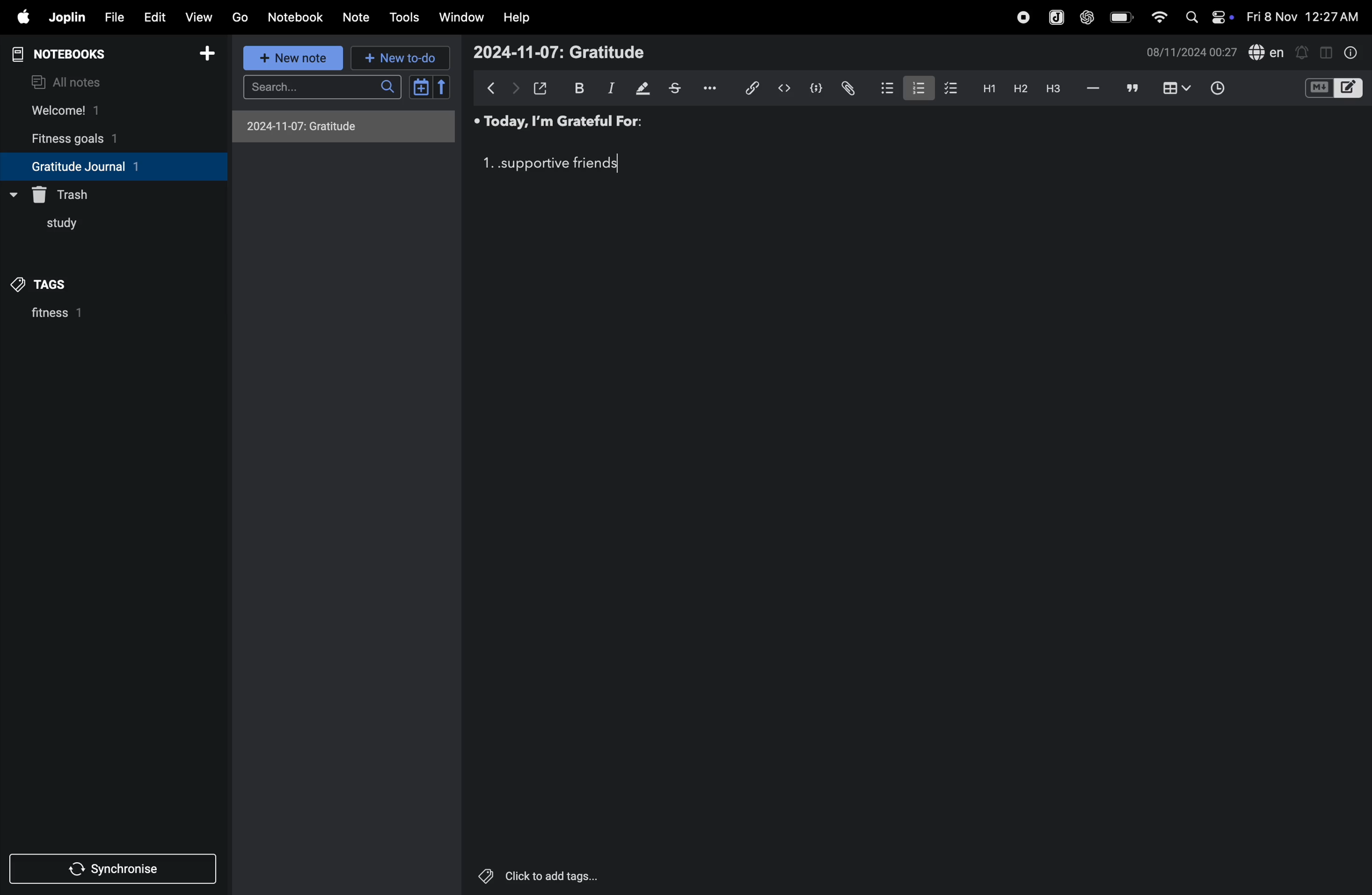 This screenshot has height=895, width=1372. Describe the element at coordinates (1191, 51) in the screenshot. I see `08/11/2024 00:27` at that location.